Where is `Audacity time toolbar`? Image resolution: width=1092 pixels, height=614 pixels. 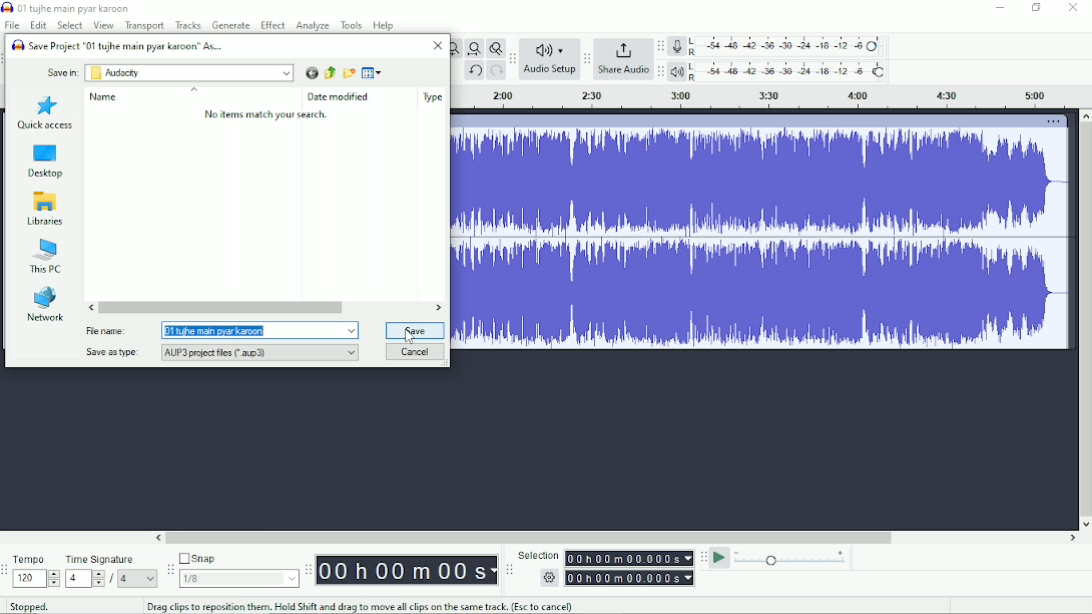
Audacity time toolbar is located at coordinates (308, 569).